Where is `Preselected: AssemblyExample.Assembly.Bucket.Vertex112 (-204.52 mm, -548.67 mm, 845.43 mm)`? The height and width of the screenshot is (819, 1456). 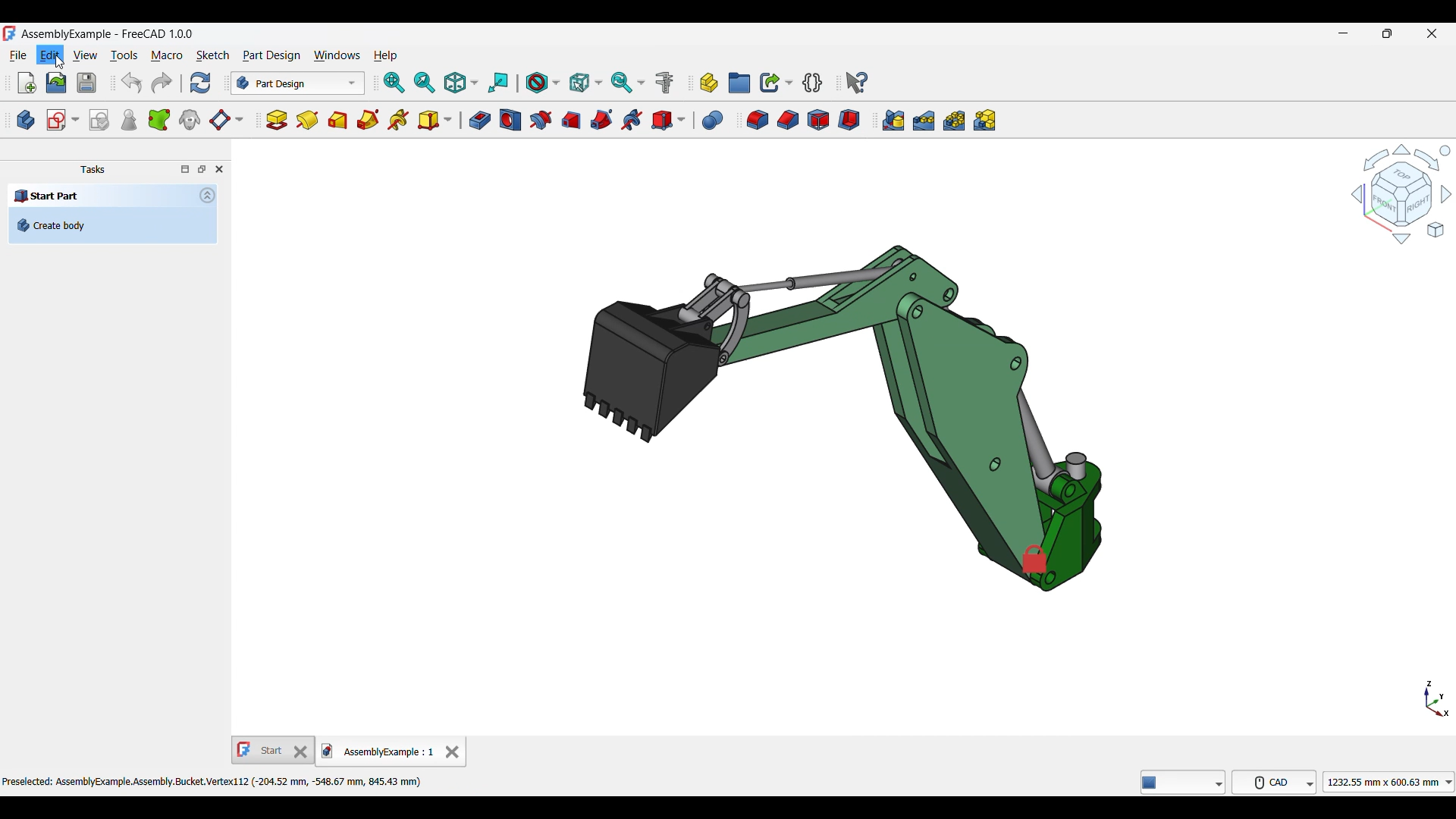 Preselected: AssemblyExample.Assembly.Bucket.Vertex112 (-204.52 mm, -548.67 mm, 845.43 mm) is located at coordinates (215, 781).